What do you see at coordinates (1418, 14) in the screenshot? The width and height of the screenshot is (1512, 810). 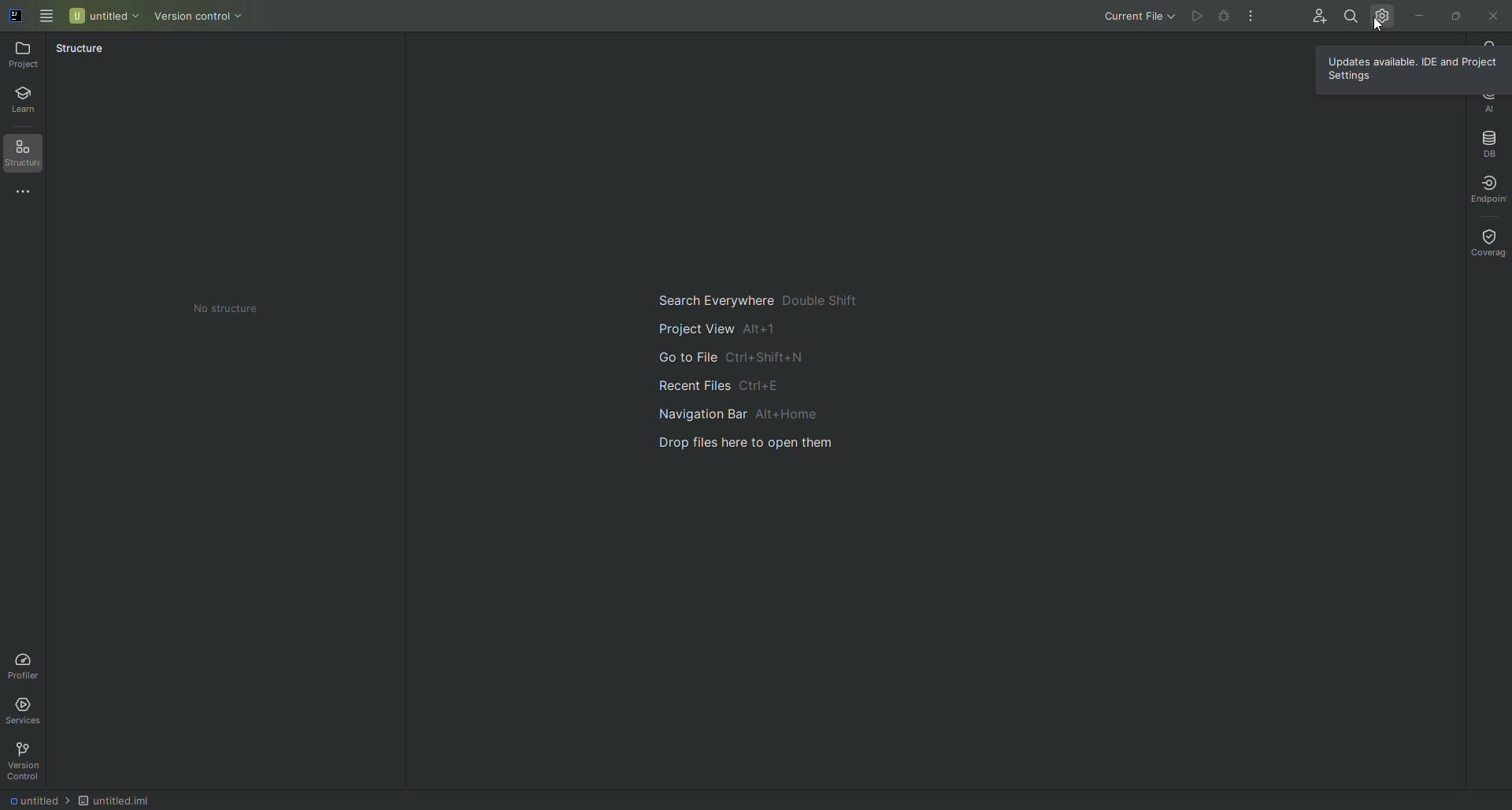 I see `Minimize` at bounding box center [1418, 14].